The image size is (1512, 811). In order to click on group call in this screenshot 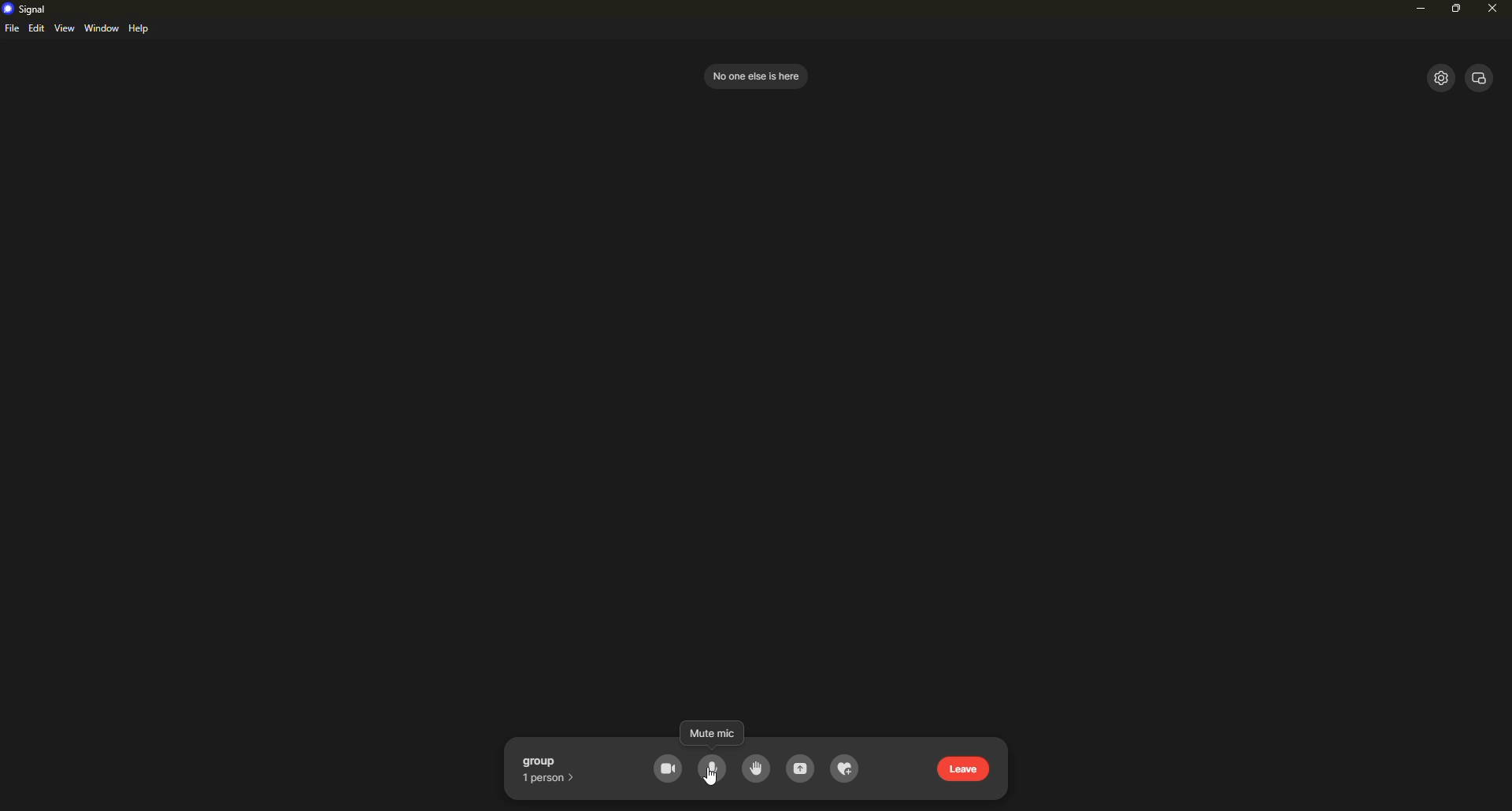, I will do `click(553, 760)`.